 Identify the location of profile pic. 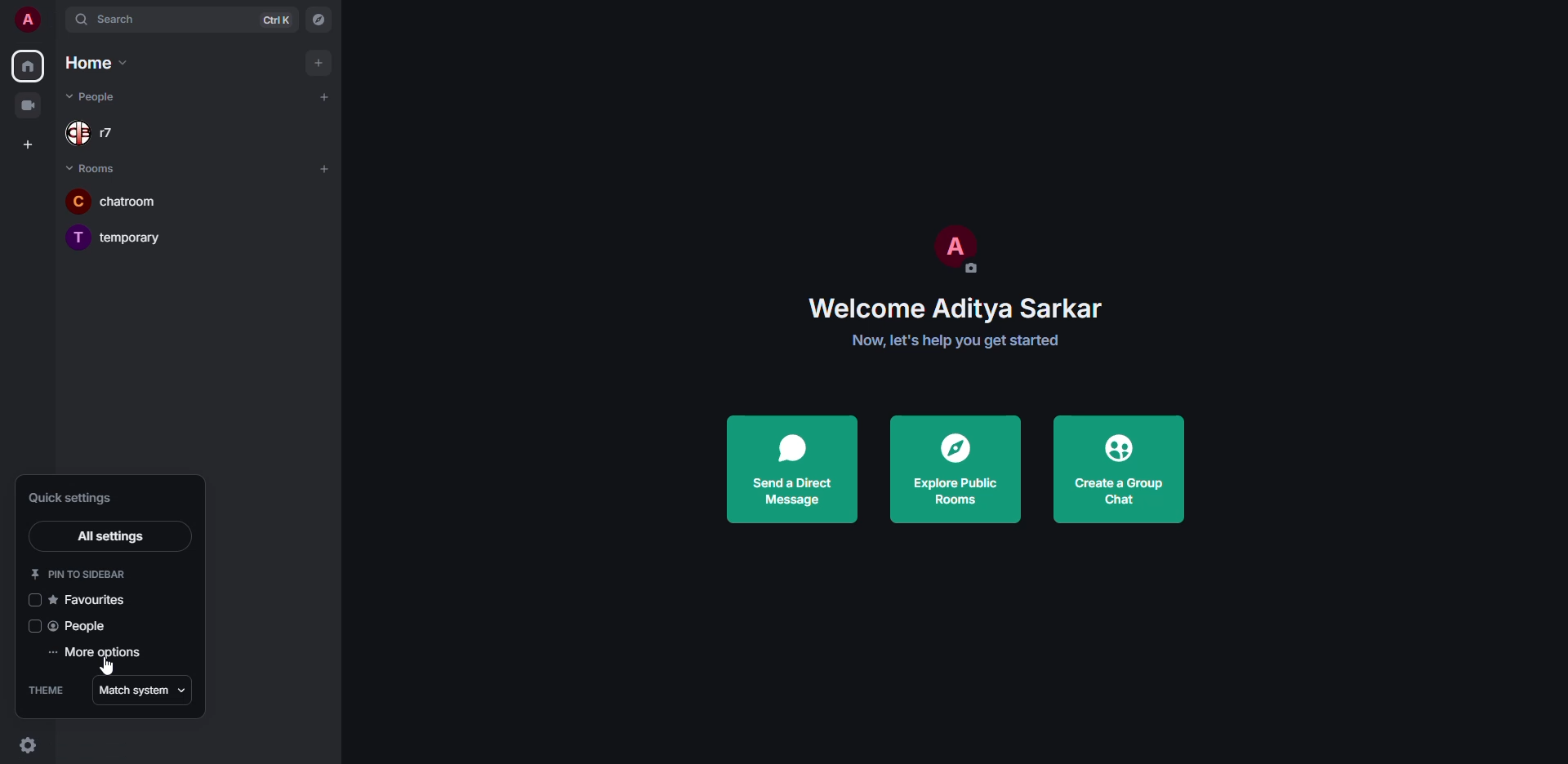
(953, 247).